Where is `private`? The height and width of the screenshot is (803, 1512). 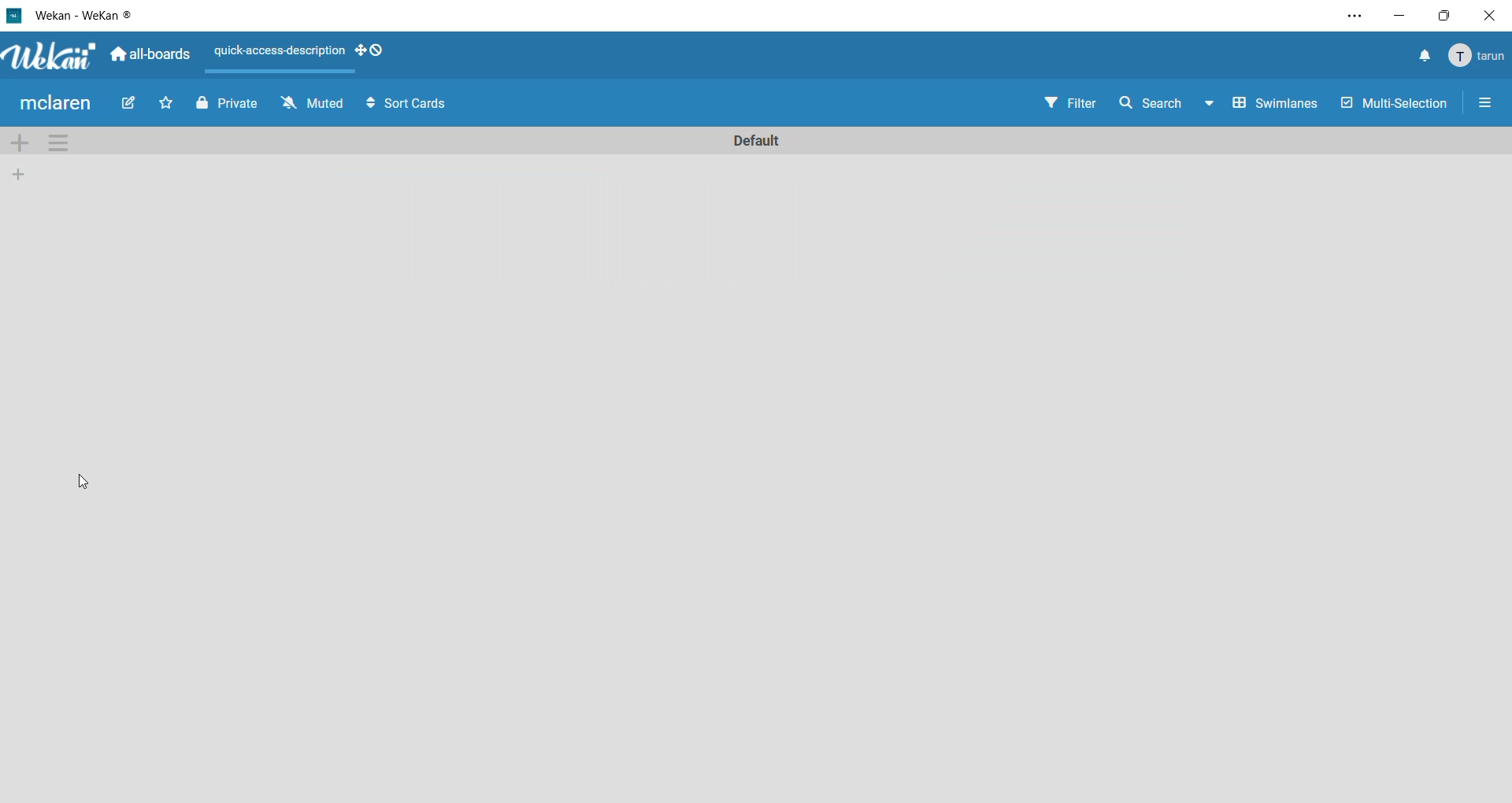 private is located at coordinates (227, 106).